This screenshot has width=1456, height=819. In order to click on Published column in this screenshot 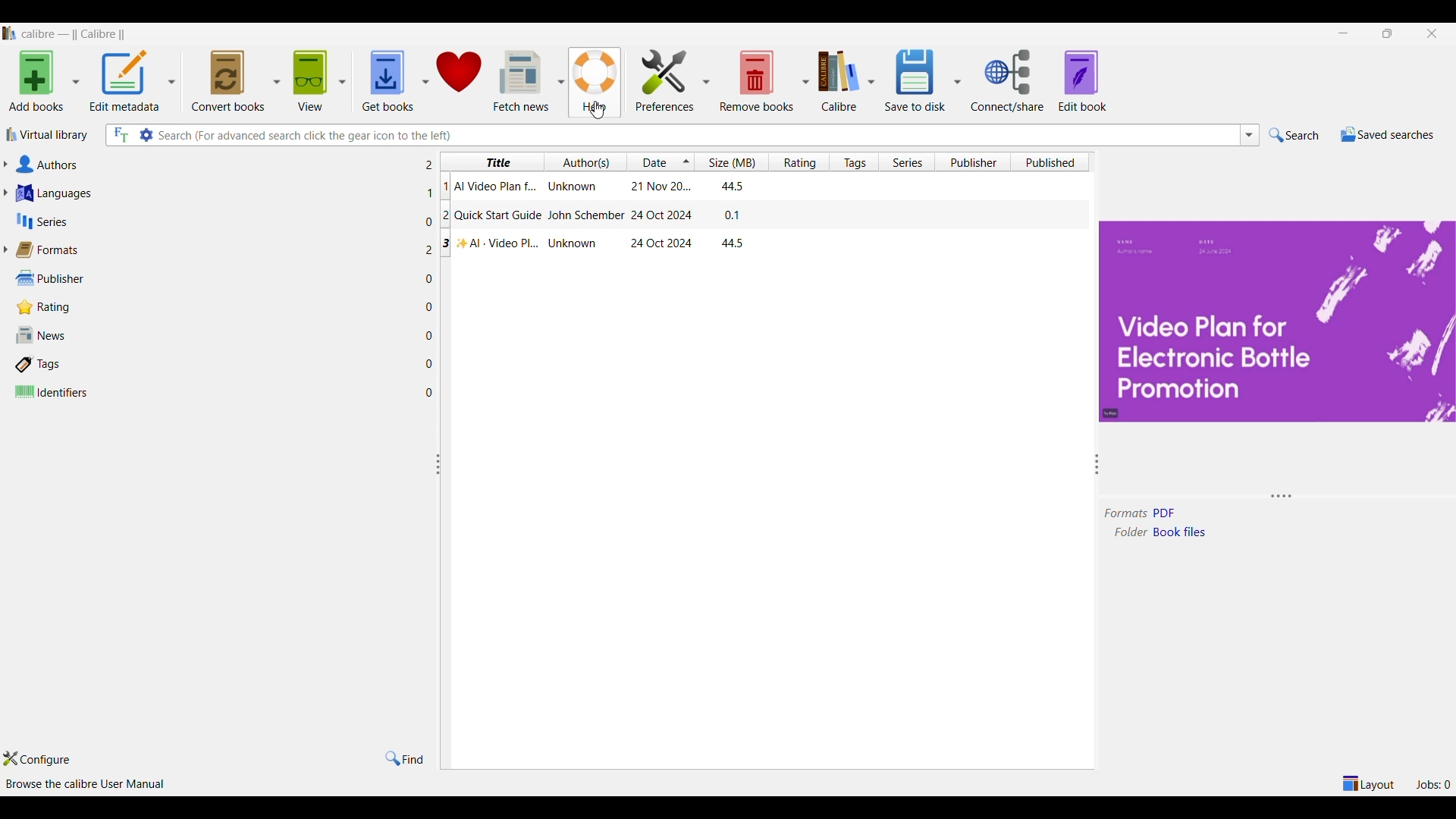, I will do `click(1050, 162)`.